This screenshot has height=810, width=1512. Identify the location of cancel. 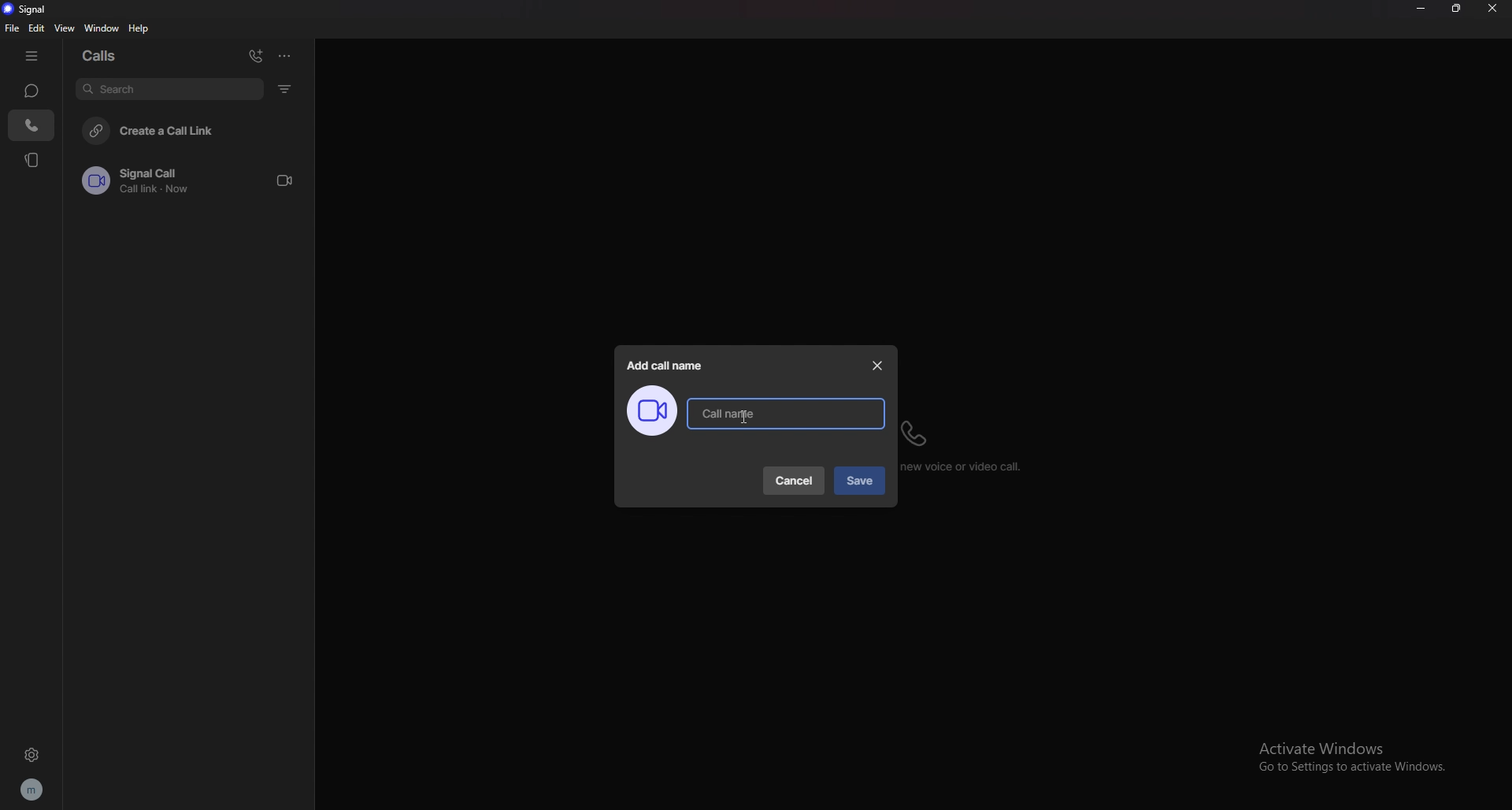
(795, 481).